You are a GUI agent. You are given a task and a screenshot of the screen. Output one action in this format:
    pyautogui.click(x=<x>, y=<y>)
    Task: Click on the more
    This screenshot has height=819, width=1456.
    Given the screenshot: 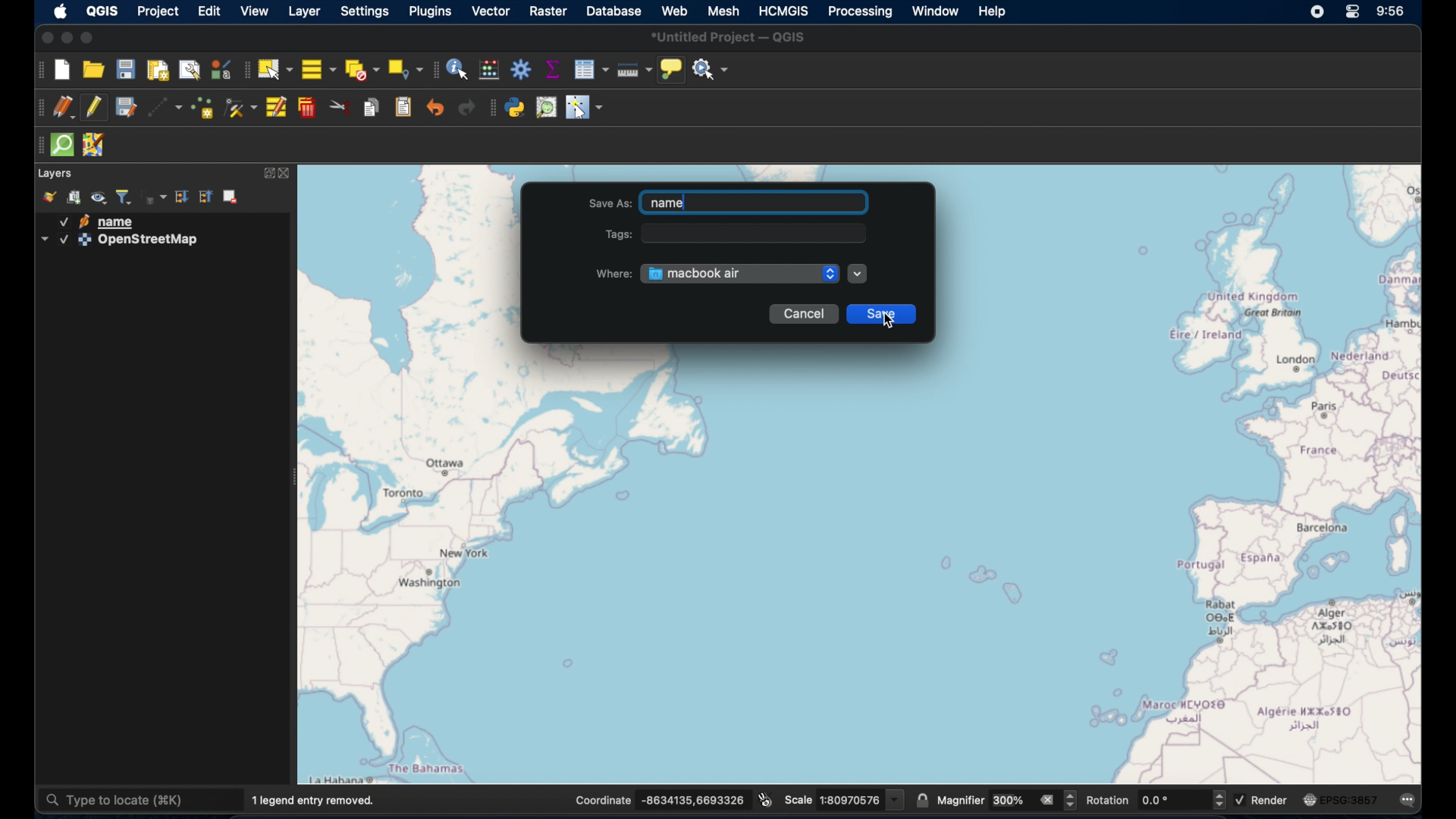 What is the action you would take?
    pyautogui.click(x=863, y=274)
    